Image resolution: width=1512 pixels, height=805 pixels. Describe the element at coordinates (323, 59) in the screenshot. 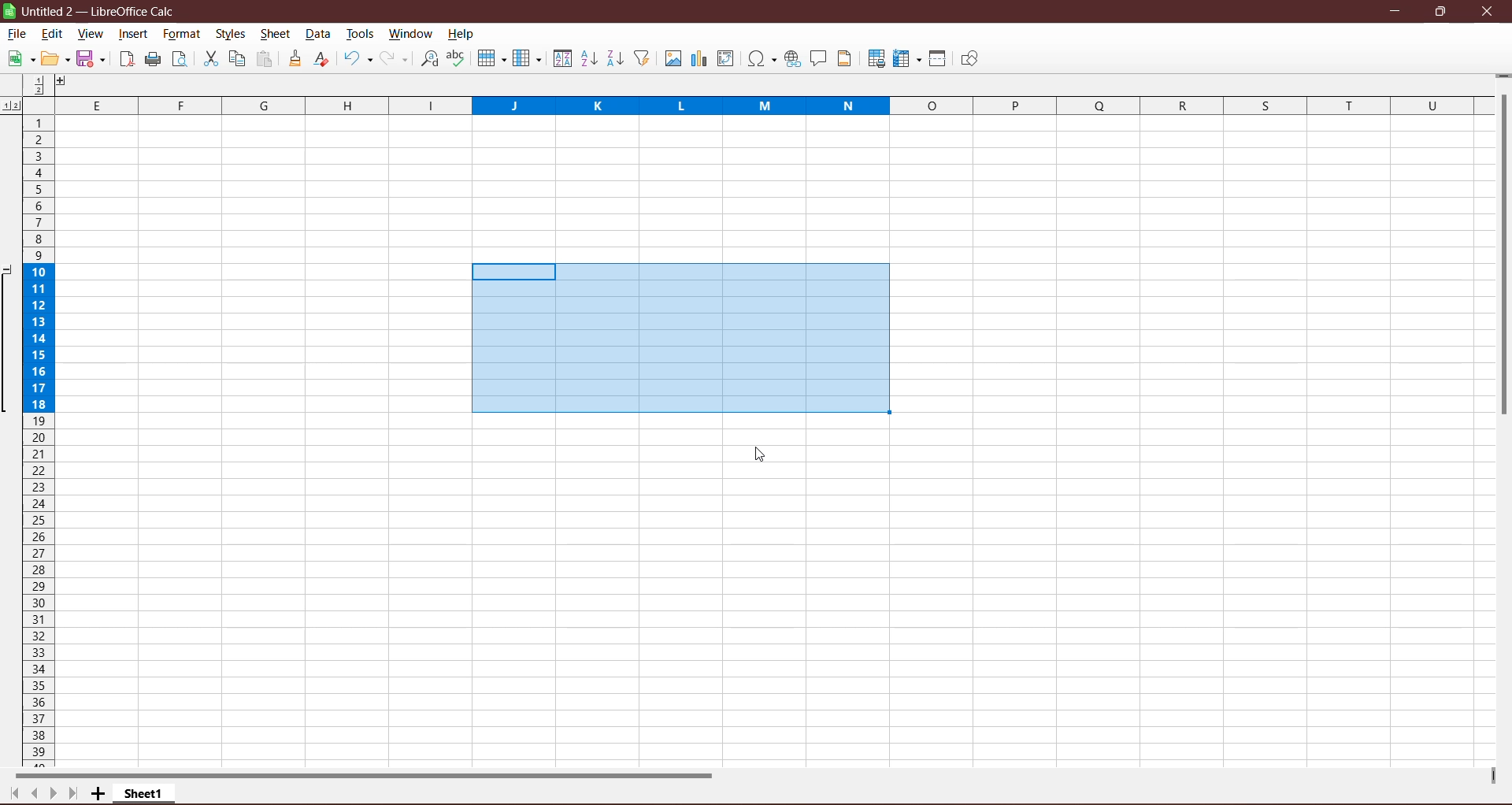

I see `Clear Formatting` at that location.